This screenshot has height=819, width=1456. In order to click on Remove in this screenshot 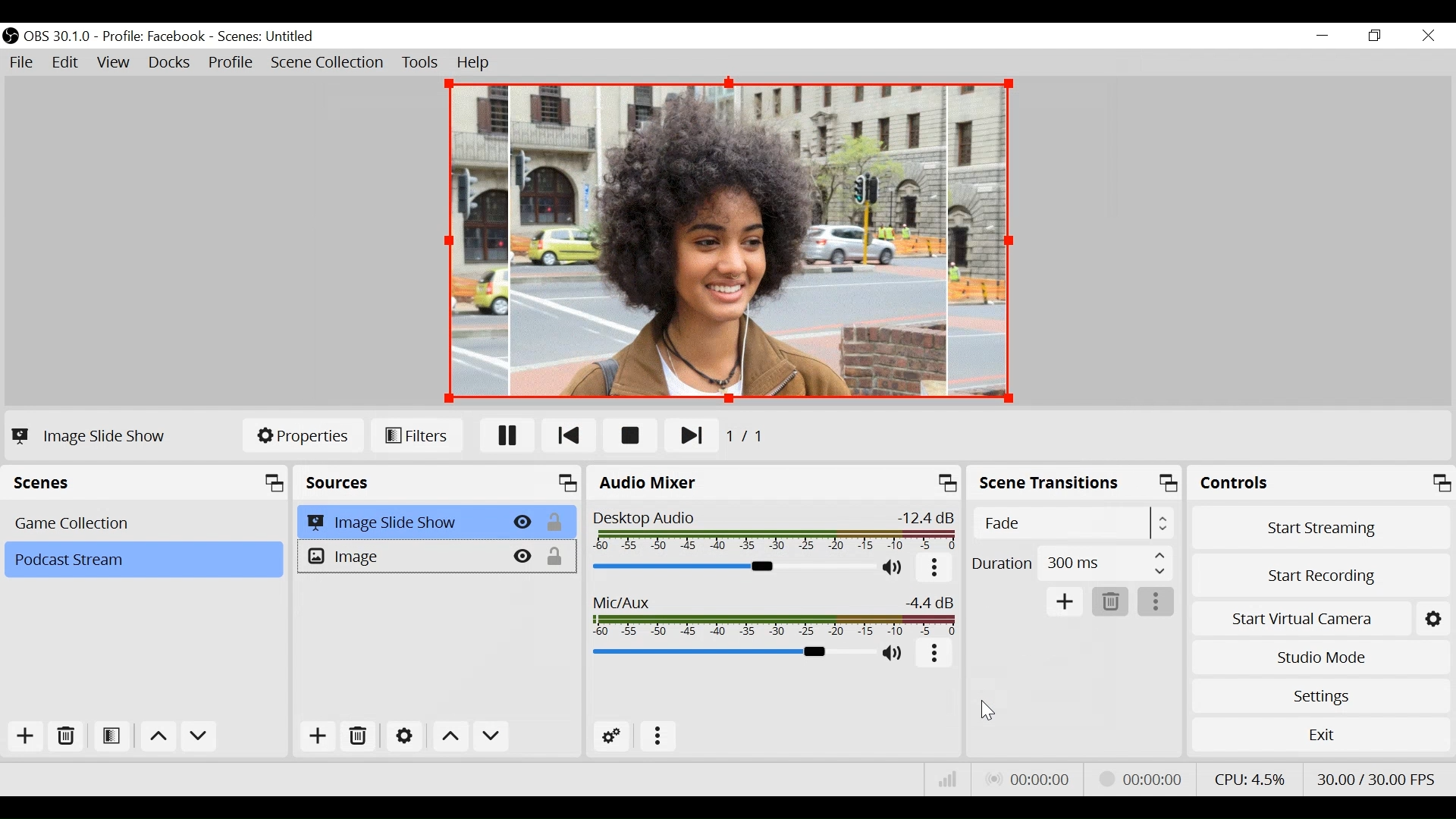, I will do `click(67, 737)`.